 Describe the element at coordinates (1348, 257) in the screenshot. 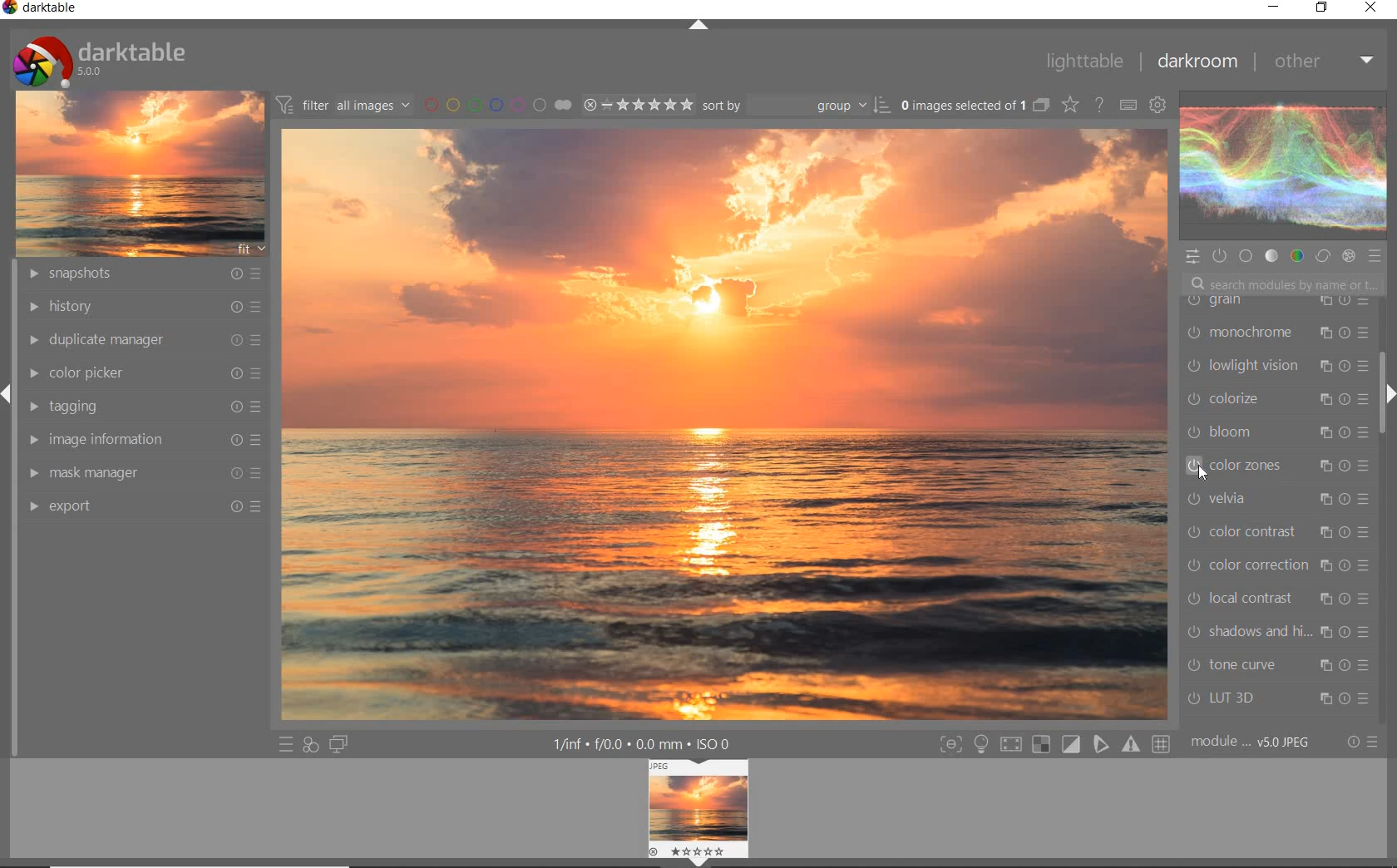

I see `EFFECT` at that location.